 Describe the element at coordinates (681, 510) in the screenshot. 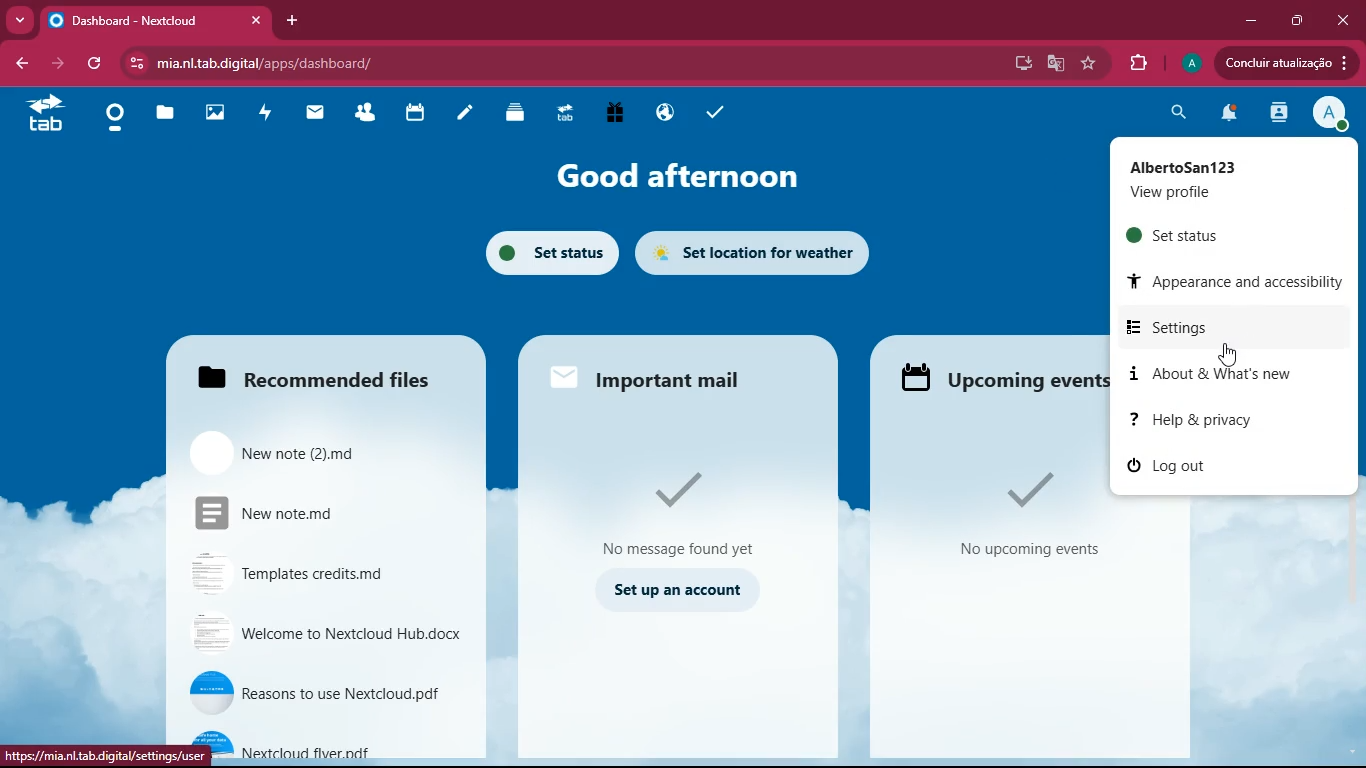

I see `No message found yet` at that location.